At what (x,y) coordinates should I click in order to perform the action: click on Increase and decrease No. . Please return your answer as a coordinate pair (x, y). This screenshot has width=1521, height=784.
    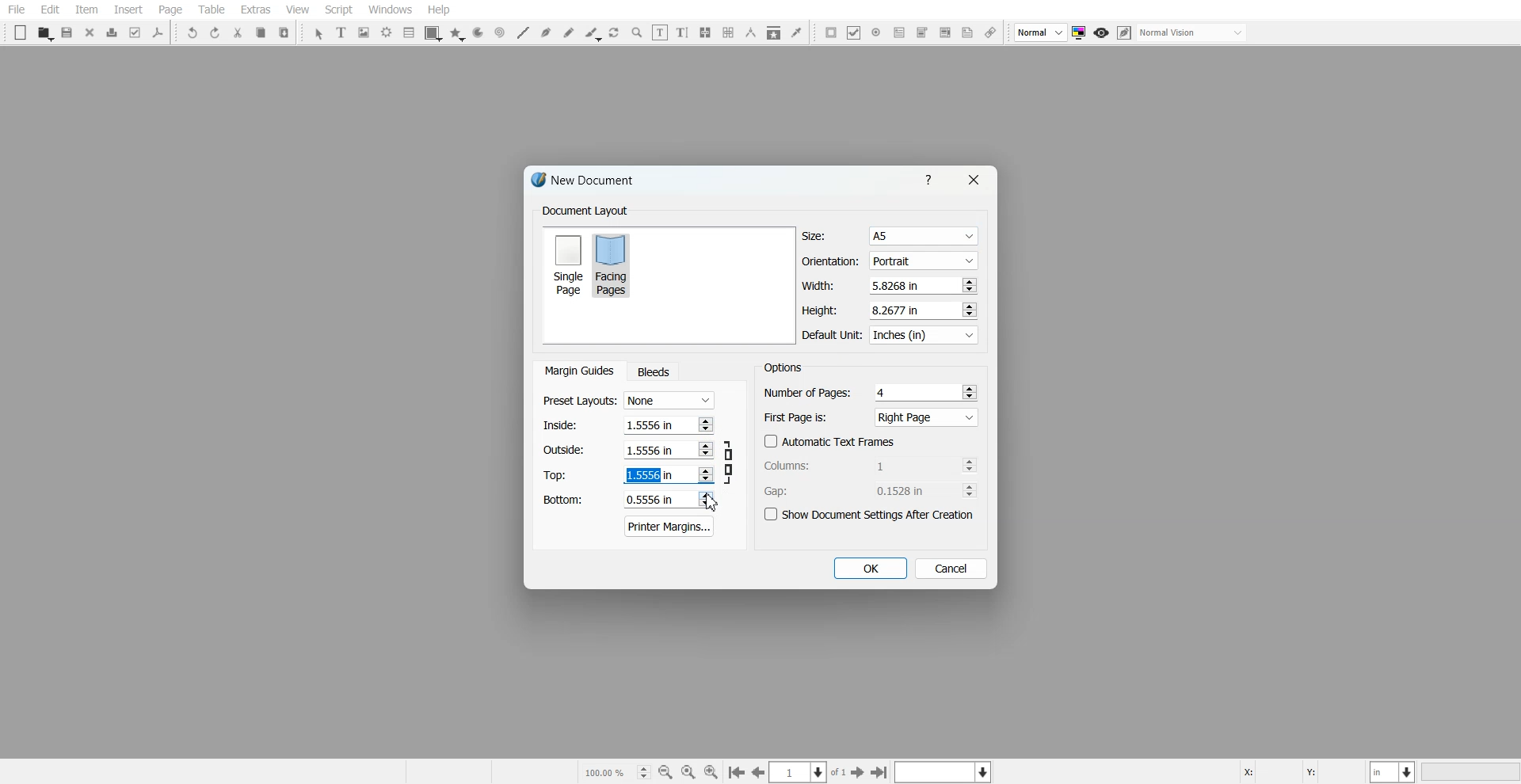
    Looking at the image, I should click on (970, 490).